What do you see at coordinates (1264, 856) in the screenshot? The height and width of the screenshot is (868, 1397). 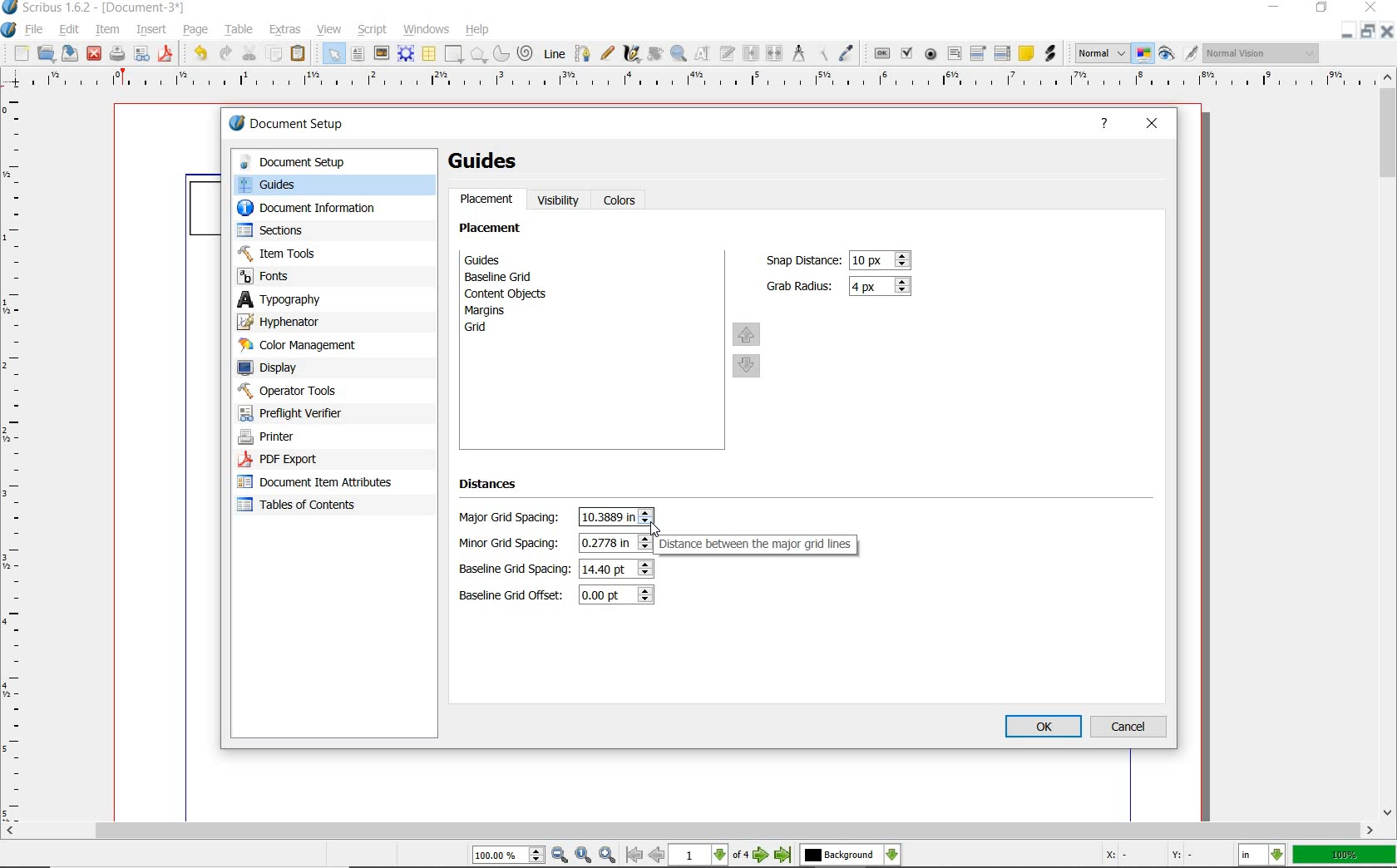 I see `select the current unit` at bounding box center [1264, 856].